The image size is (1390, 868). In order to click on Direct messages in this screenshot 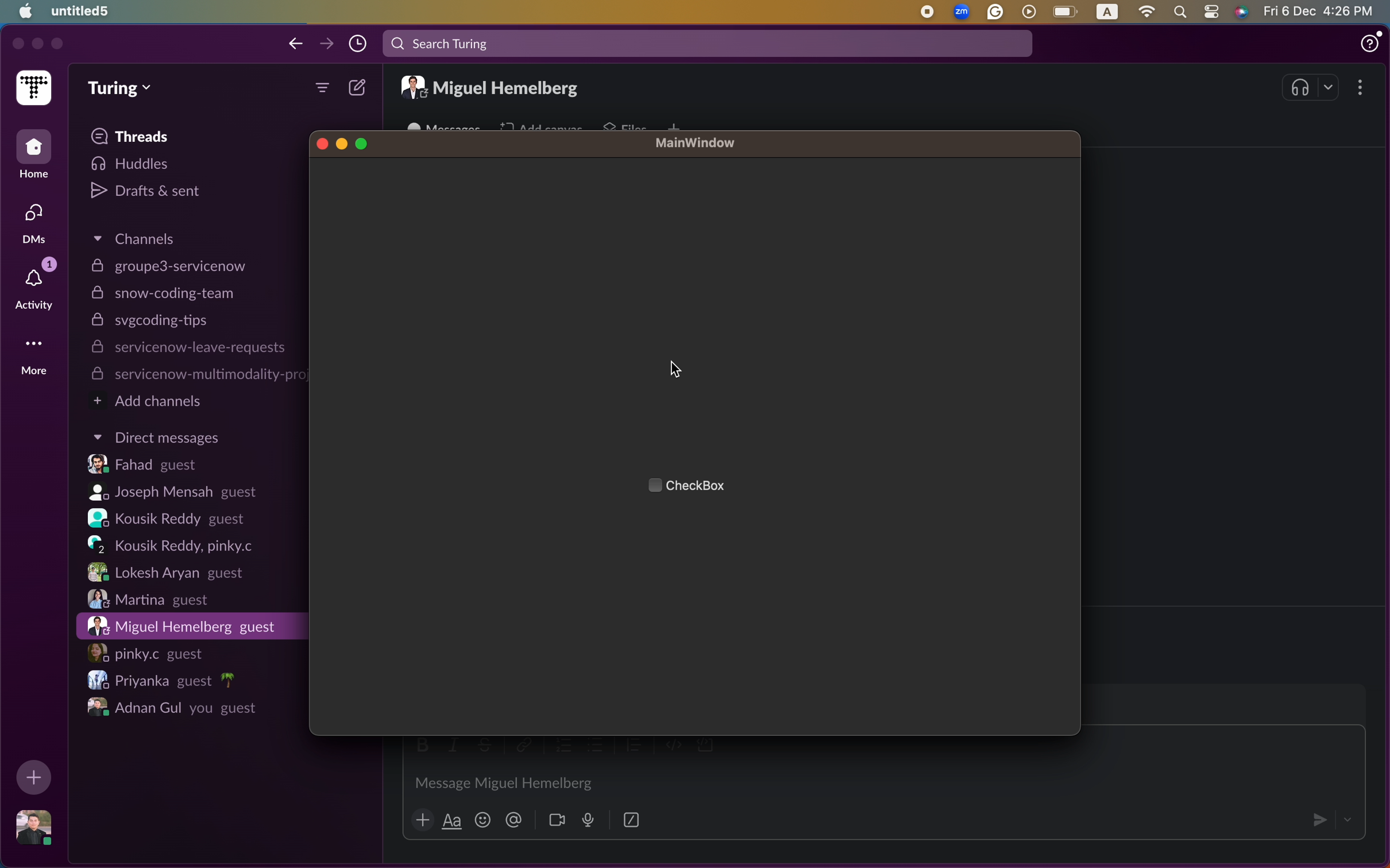, I will do `click(156, 437)`.